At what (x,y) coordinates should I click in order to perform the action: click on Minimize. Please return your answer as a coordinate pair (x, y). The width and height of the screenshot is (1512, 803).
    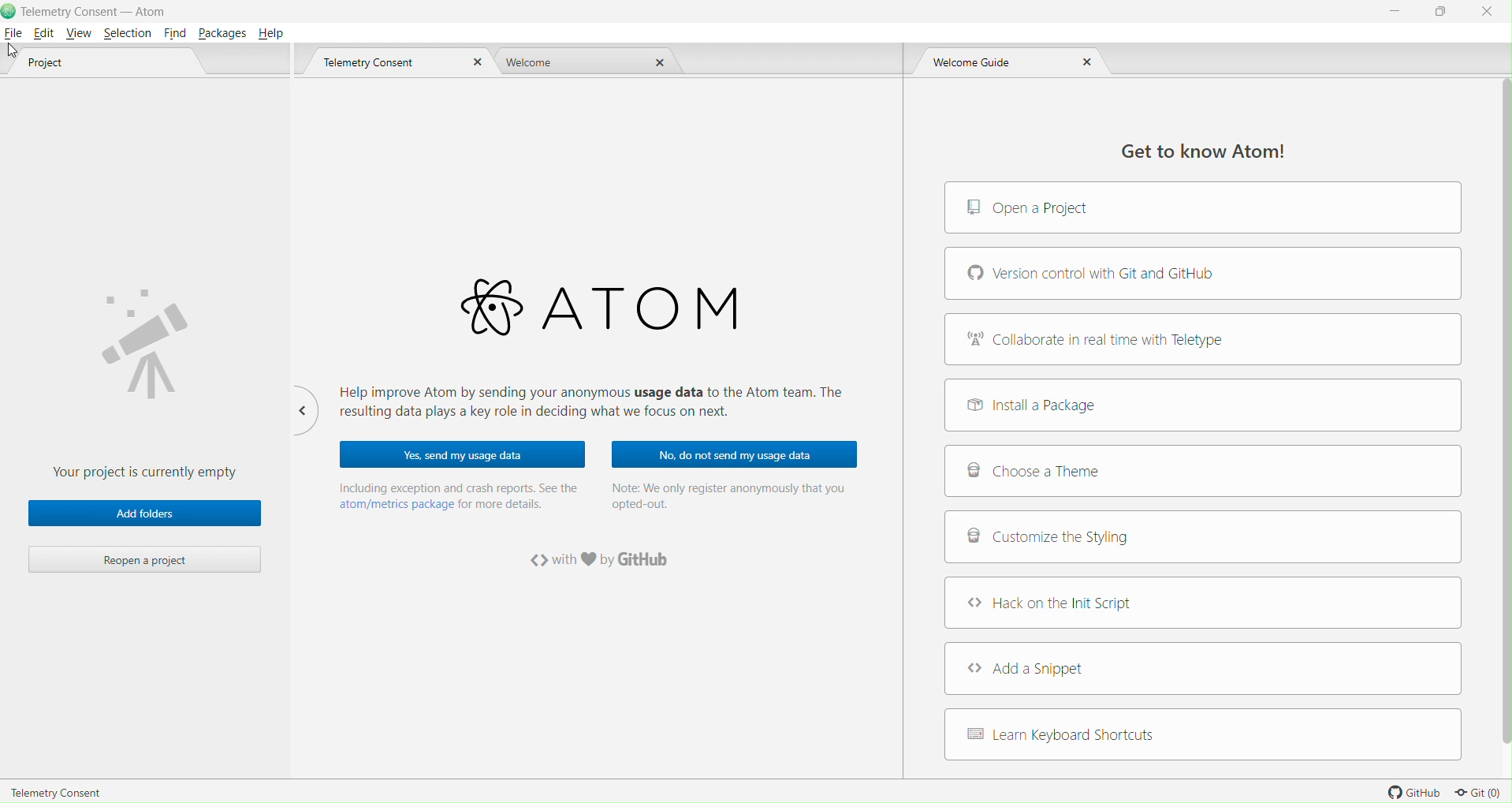
    Looking at the image, I should click on (1395, 16).